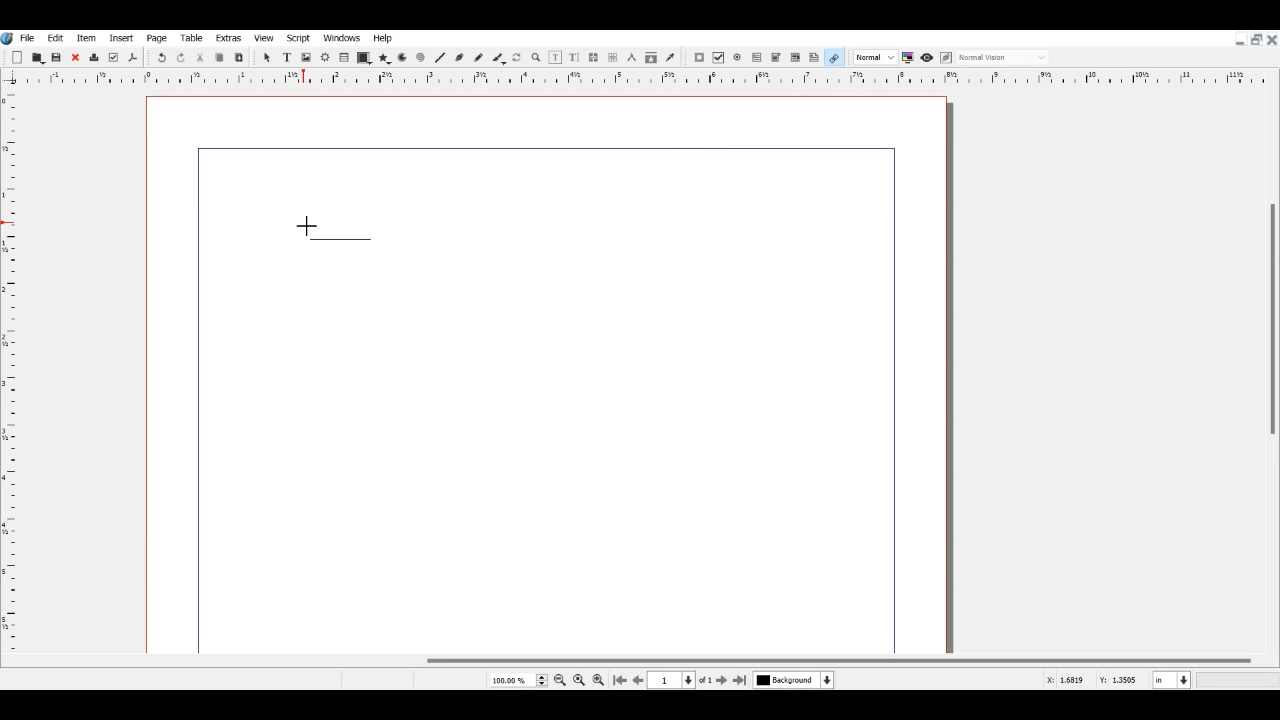  What do you see at coordinates (384, 58) in the screenshot?
I see `Polygon` at bounding box center [384, 58].